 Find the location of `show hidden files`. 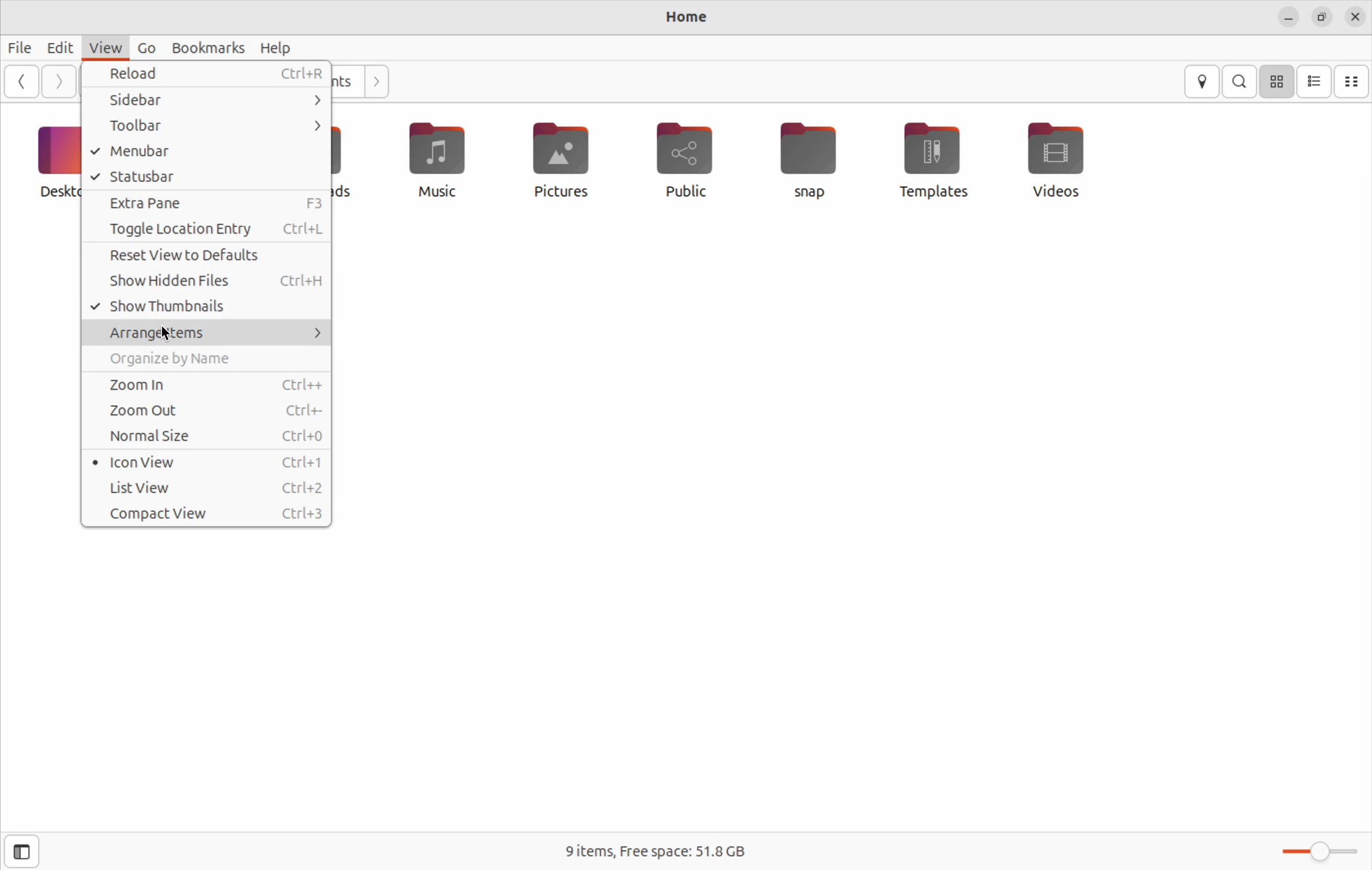

show hidden files is located at coordinates (208, 282).